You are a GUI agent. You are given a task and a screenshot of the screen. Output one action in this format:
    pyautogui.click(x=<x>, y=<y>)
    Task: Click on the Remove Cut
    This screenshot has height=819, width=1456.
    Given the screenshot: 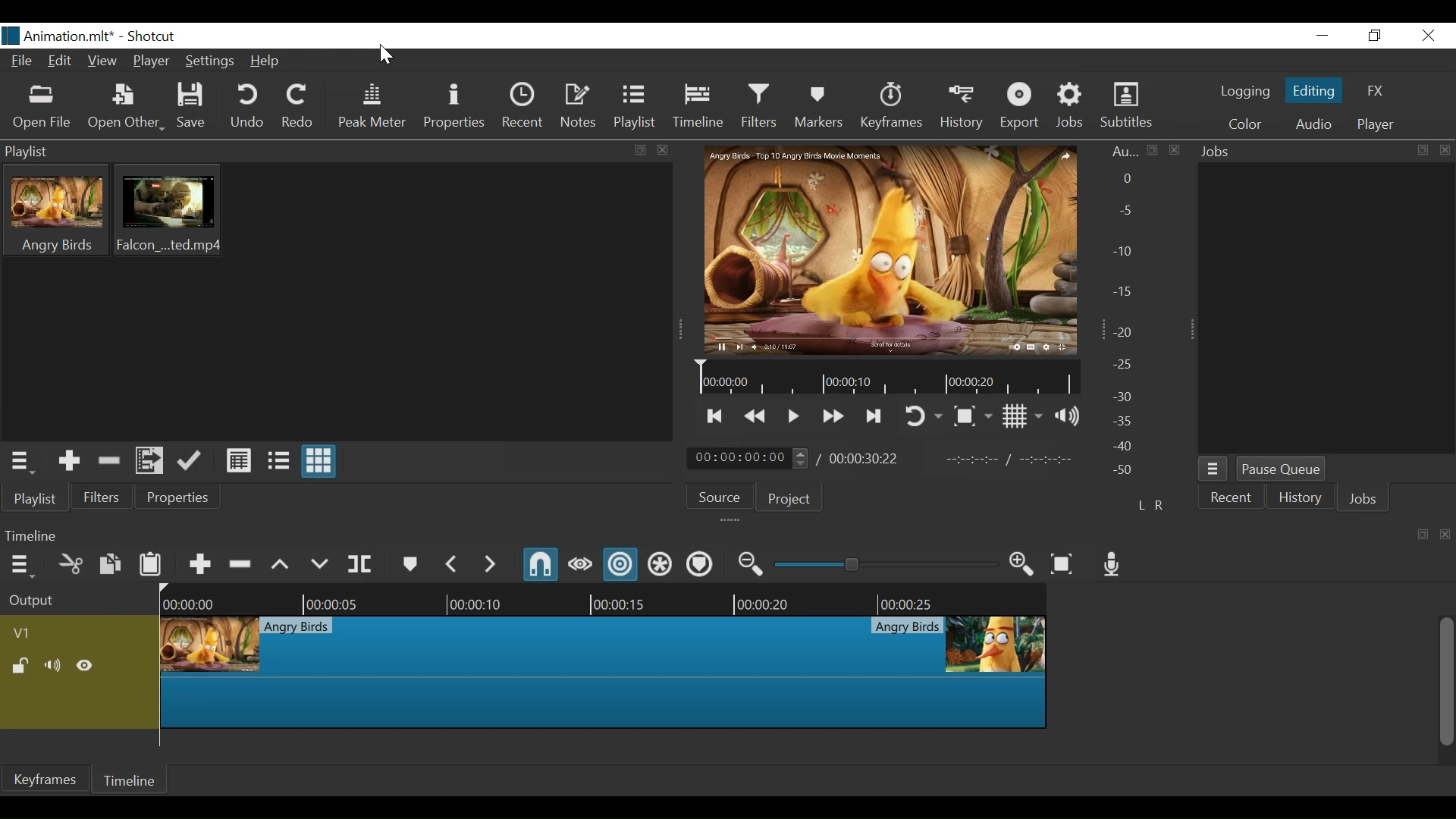 What is the action you would take?
    pyautogui.click(x=110, y=460)
    